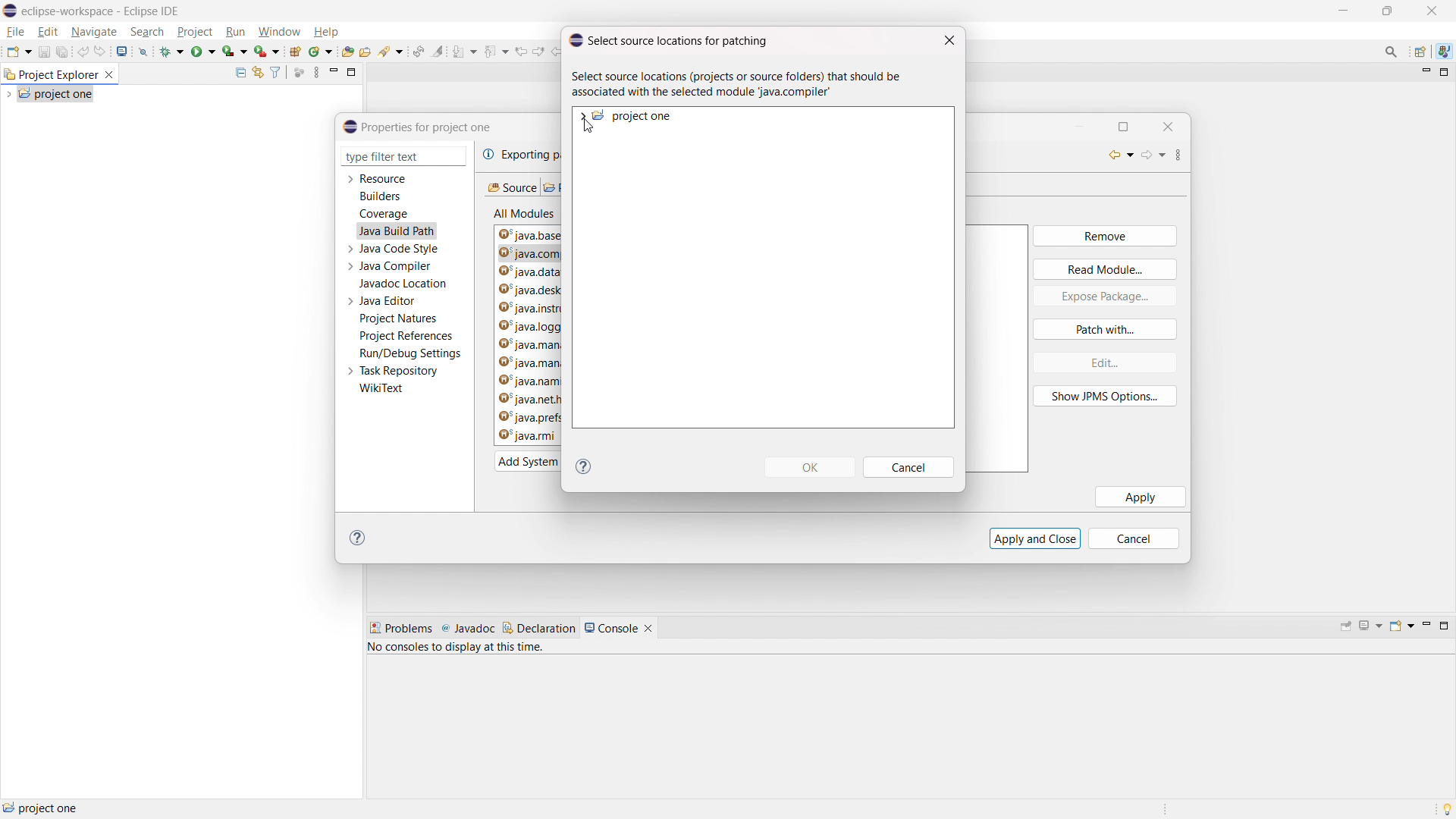  Describe the element at coordinates (949, 41) in the screenshot. I see `close` at that location.